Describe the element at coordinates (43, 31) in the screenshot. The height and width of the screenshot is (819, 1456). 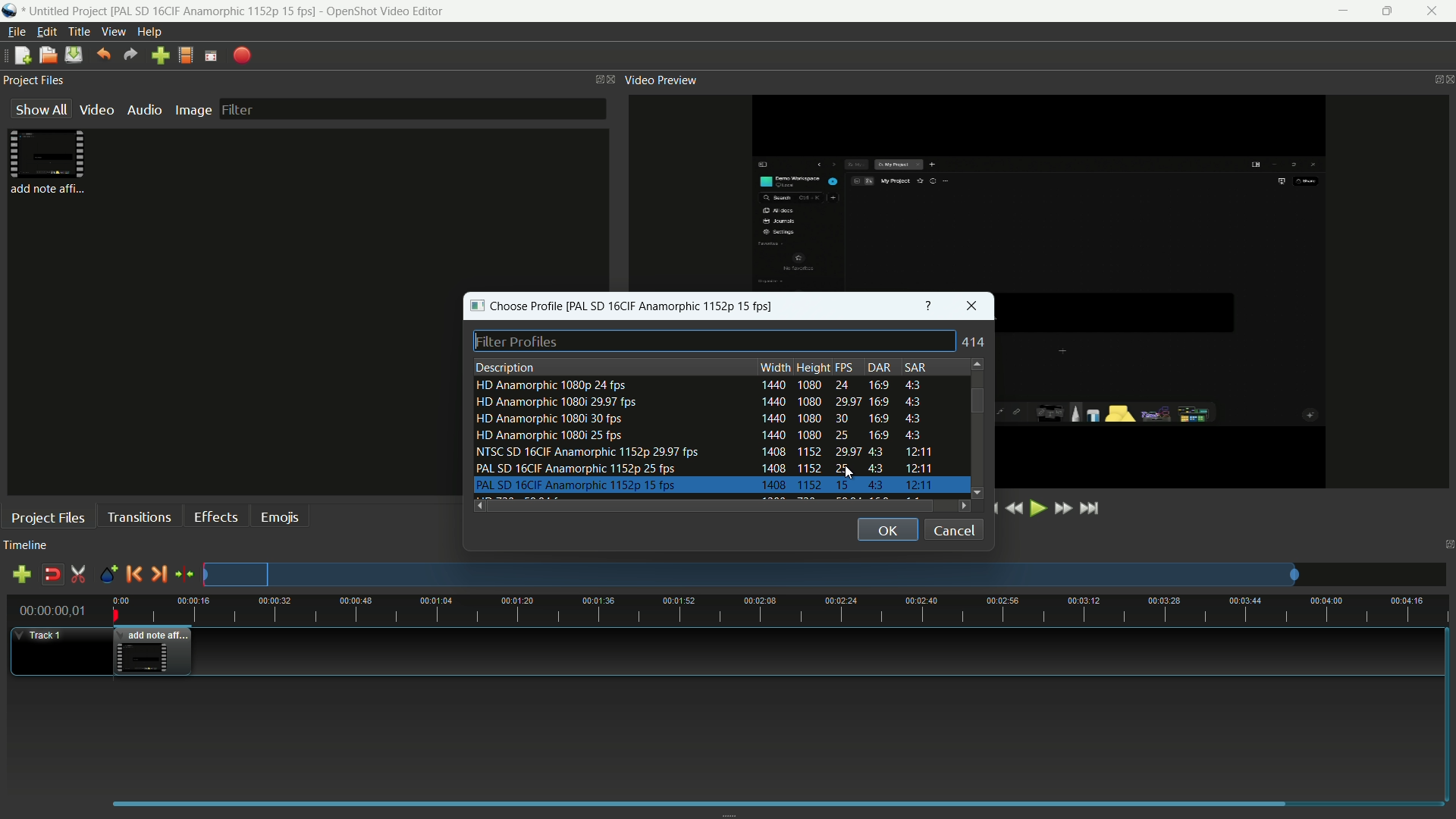
I see `edit menu` at that location.